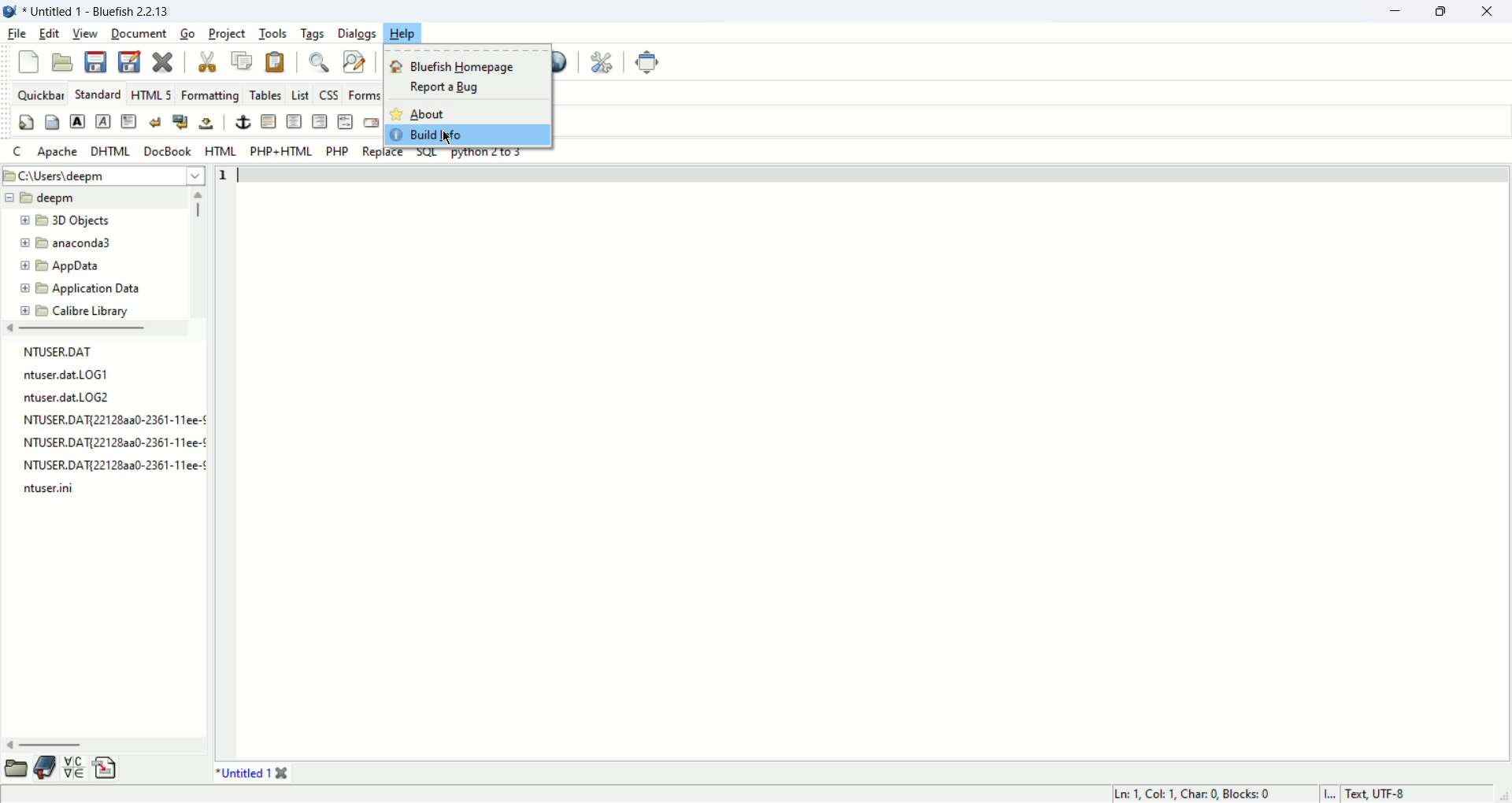 The width and height of the screenshot is (1512, 803). What do you see at coordinates (165, 63) in the screenshot?
I see `close` at bounding box center [165, 63].